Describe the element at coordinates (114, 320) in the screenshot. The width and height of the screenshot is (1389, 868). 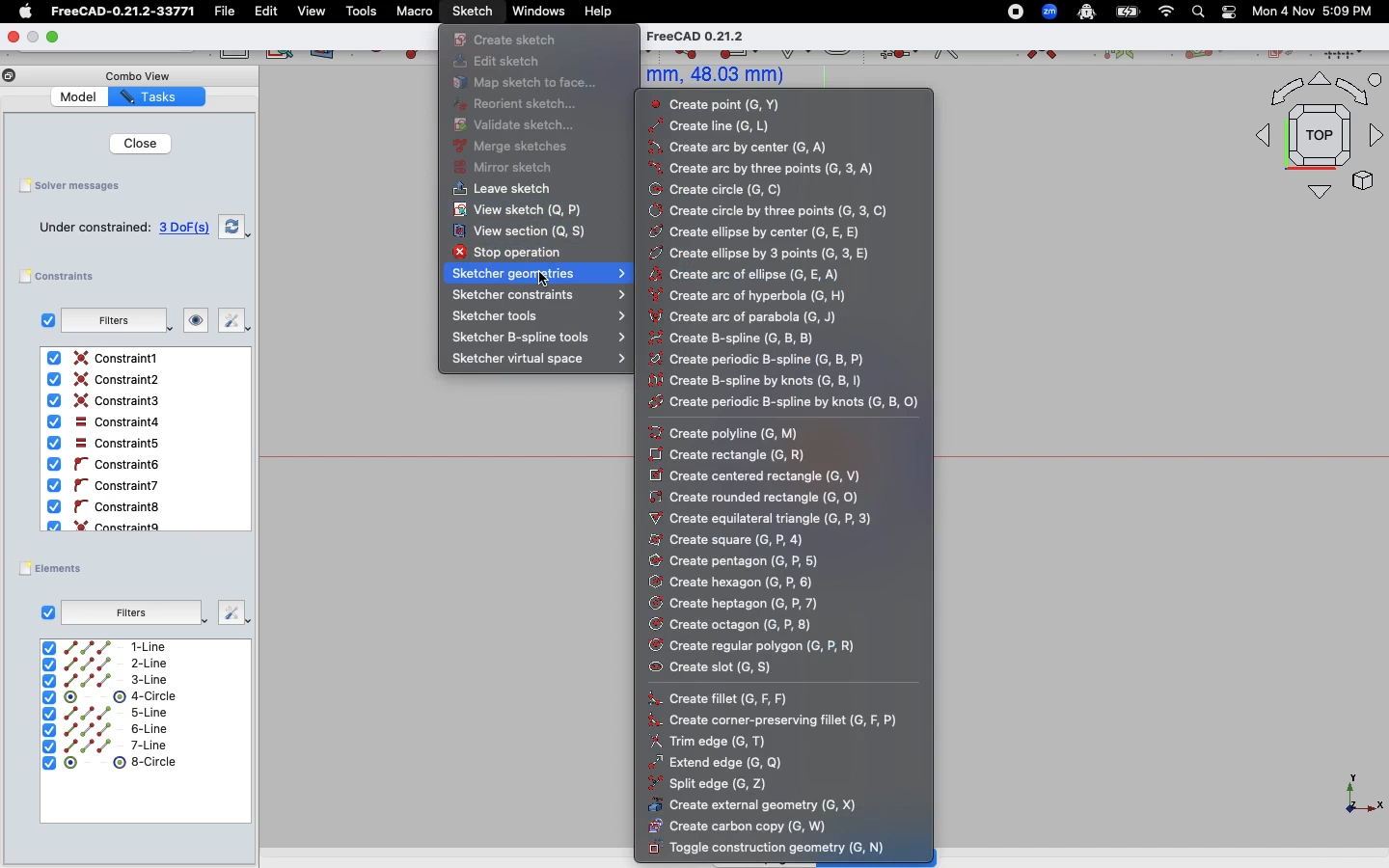
I see `Filters` at that location.